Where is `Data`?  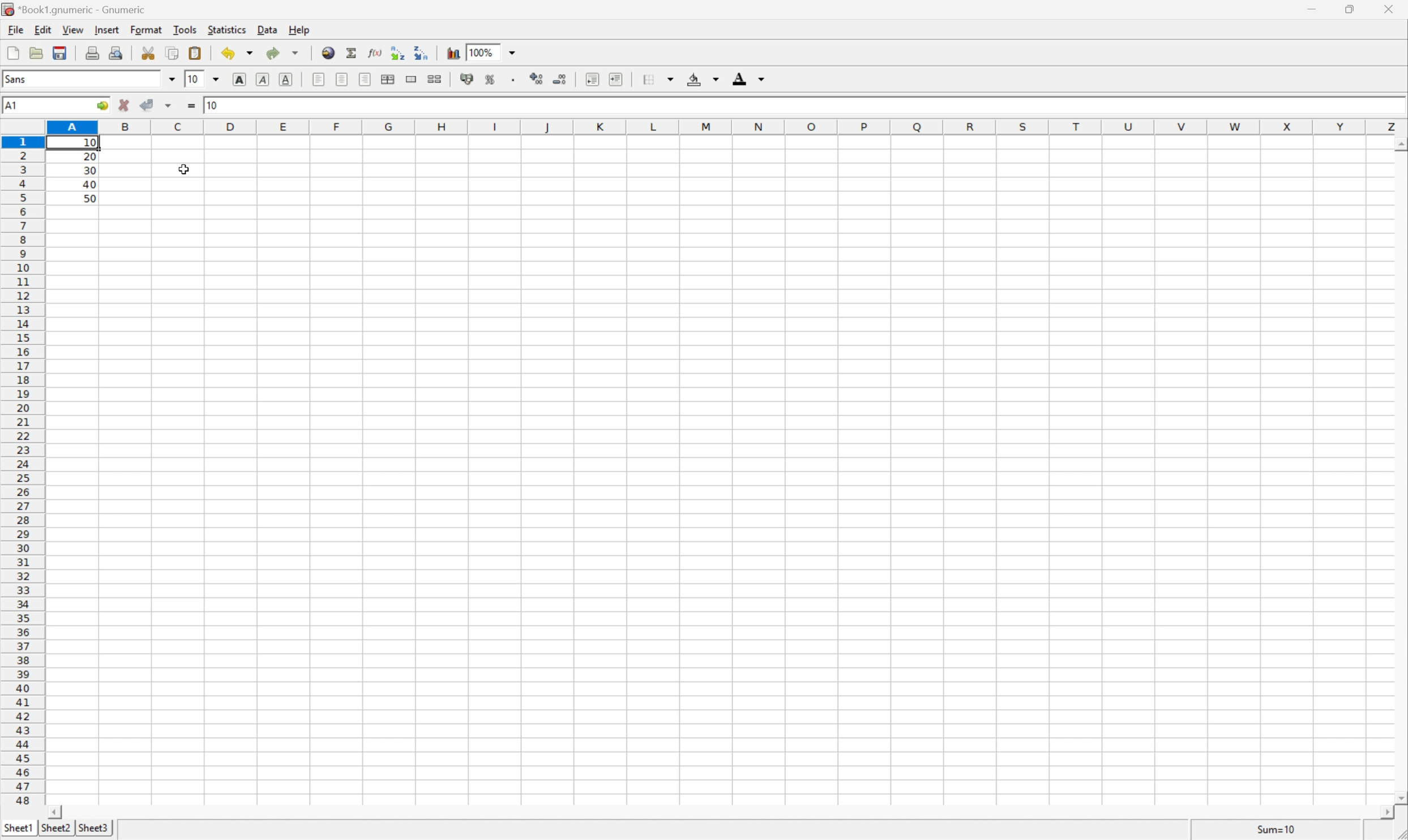 Data is located at coordinates (268, 28).